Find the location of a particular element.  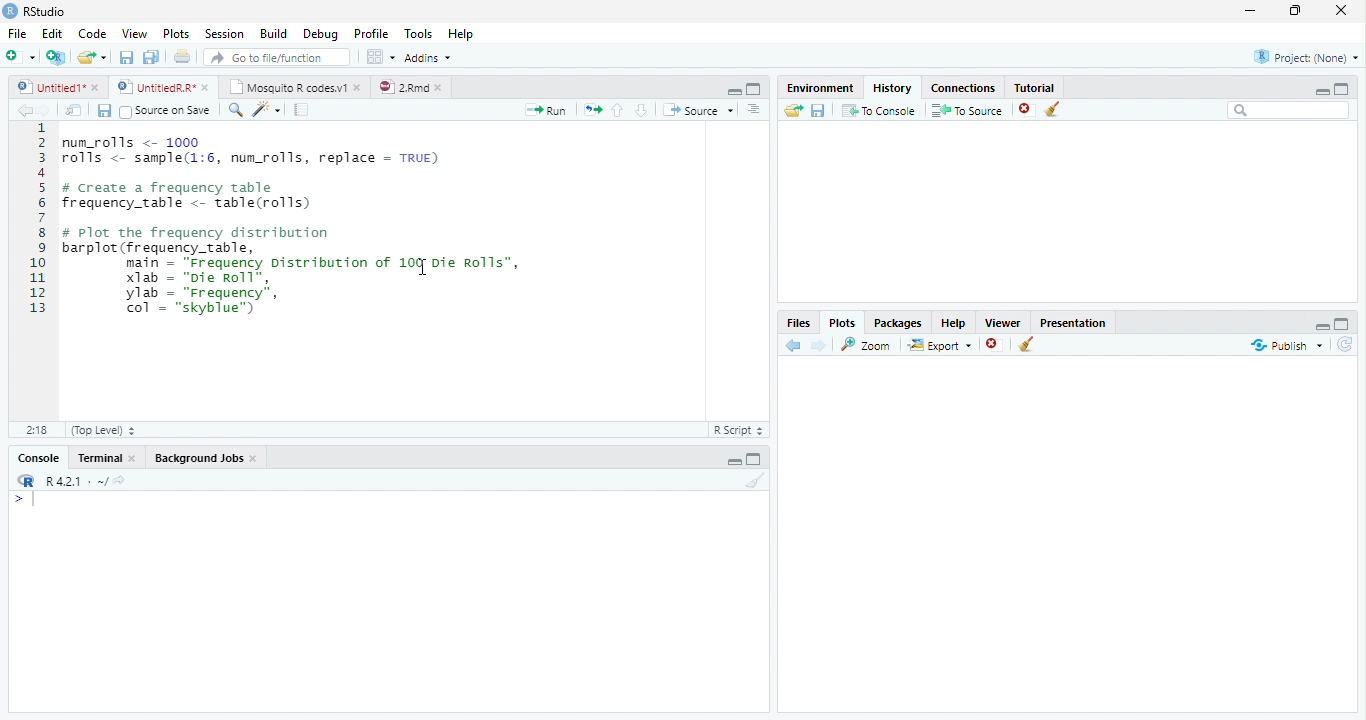

Compile Report is located at coordinates (303, 109).